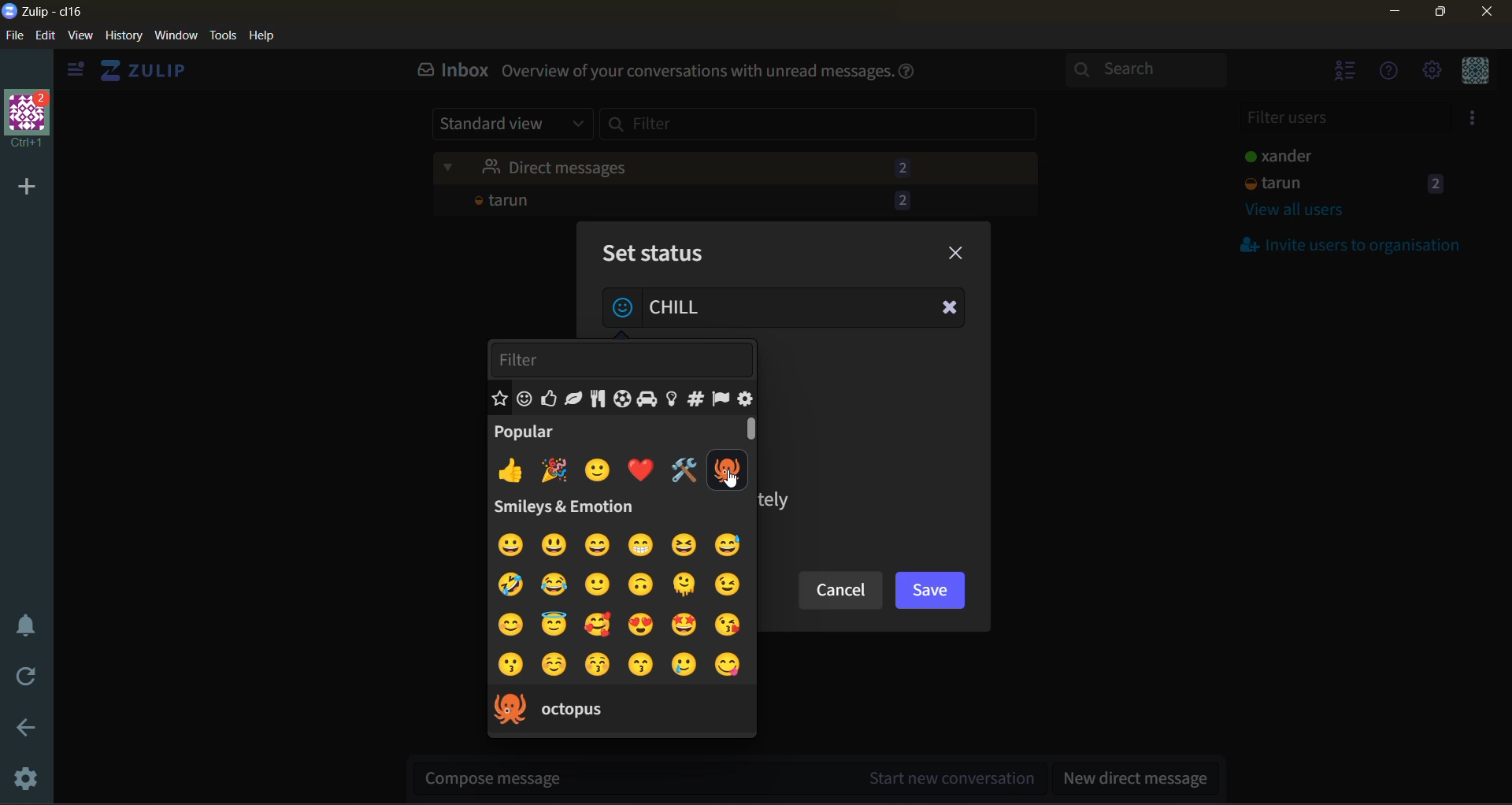  Describe the element at coordinates (721, 399) in the screenshot. I see `emoji` at that location.